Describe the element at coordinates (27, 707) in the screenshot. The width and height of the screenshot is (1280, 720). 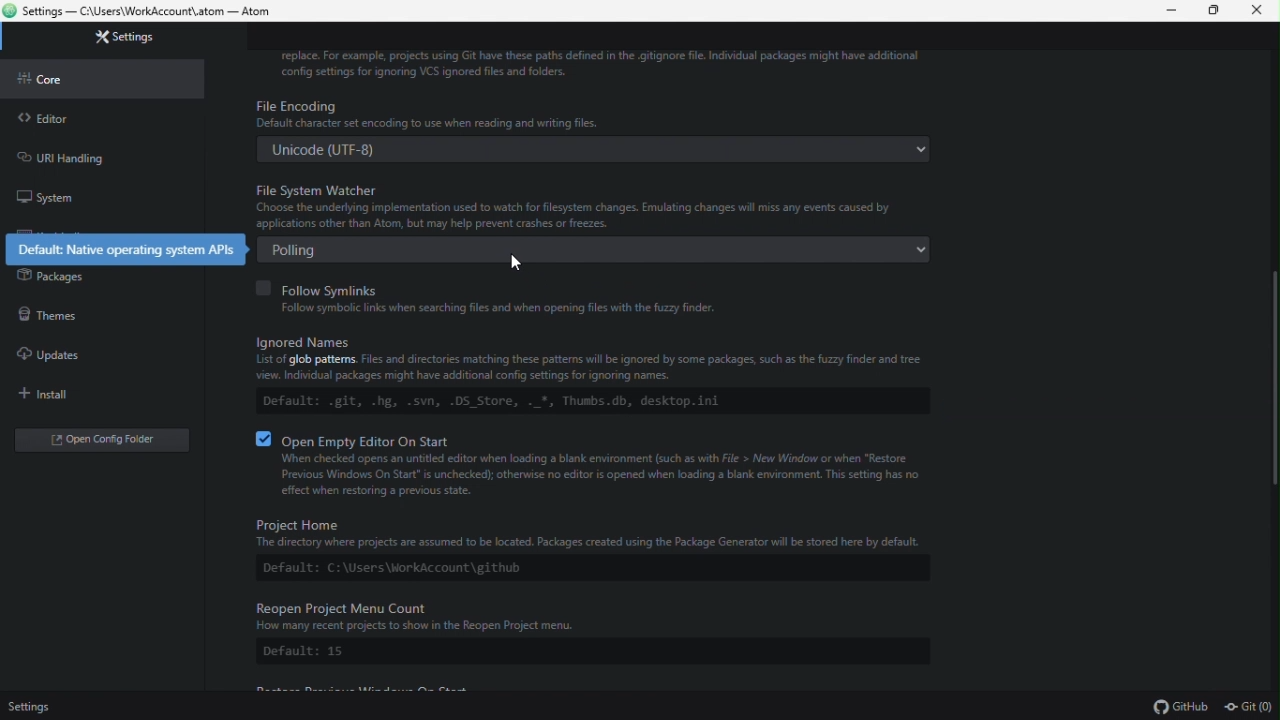
I see `setings` at that location.